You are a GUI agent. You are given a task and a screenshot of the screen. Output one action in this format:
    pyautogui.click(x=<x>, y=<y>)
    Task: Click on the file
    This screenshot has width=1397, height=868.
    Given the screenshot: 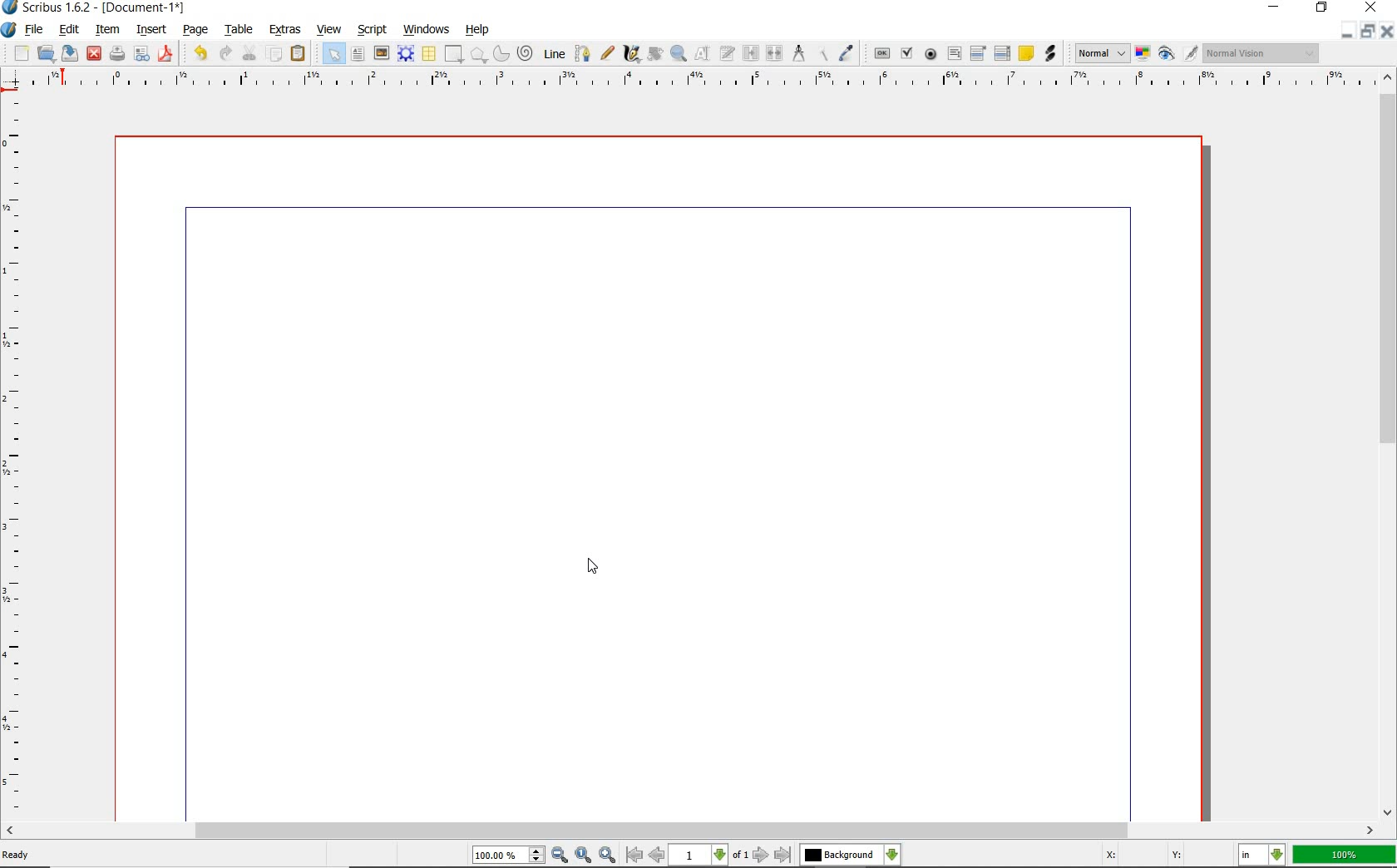 What is the action you would take?
    pyautogui.click(x=37, y=28)
    